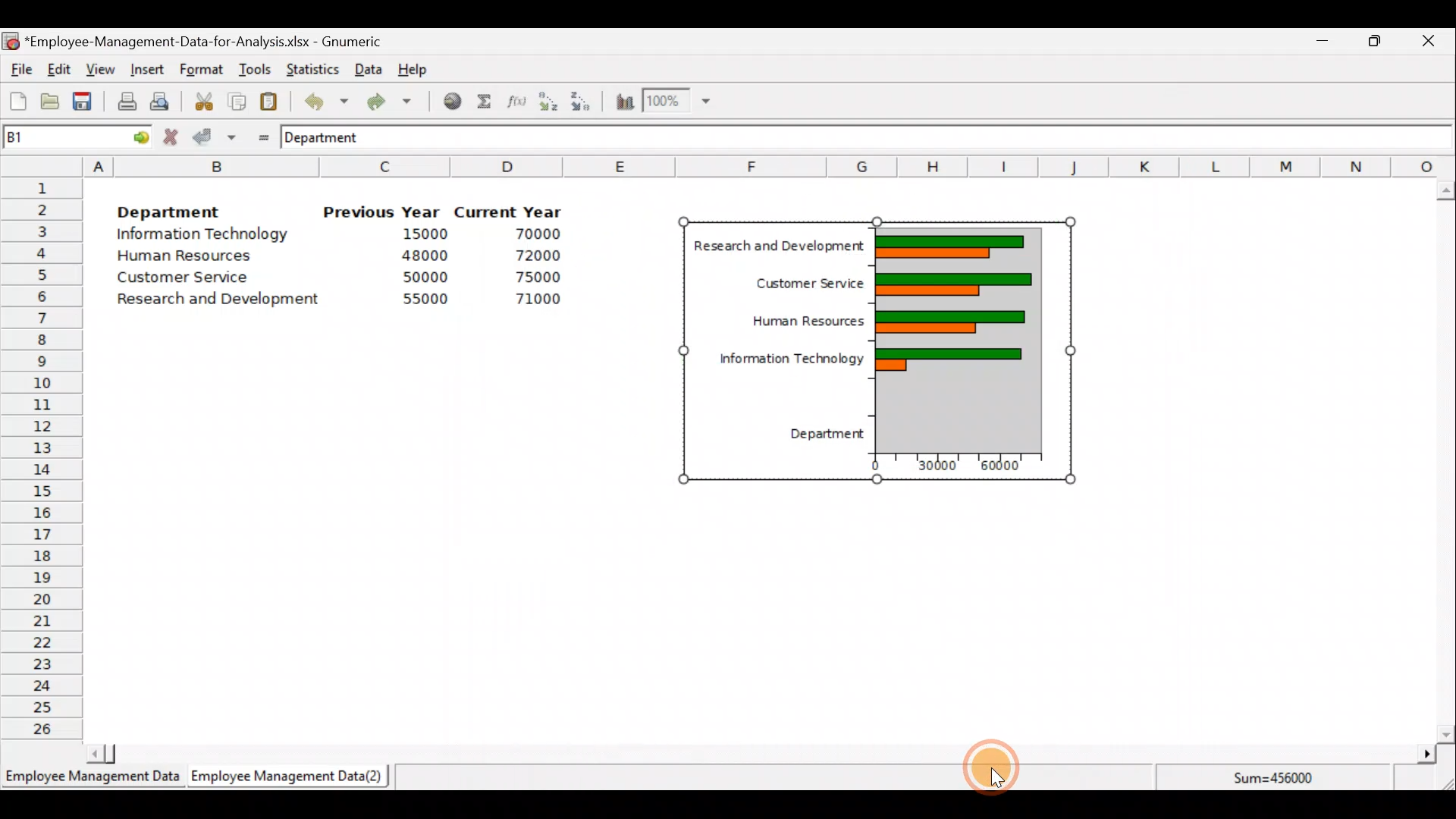 The height and width of the screenshot is (819, 1456). Describe the element at coordinates (824, 431) in the screenshot. I see `Department` at that location.